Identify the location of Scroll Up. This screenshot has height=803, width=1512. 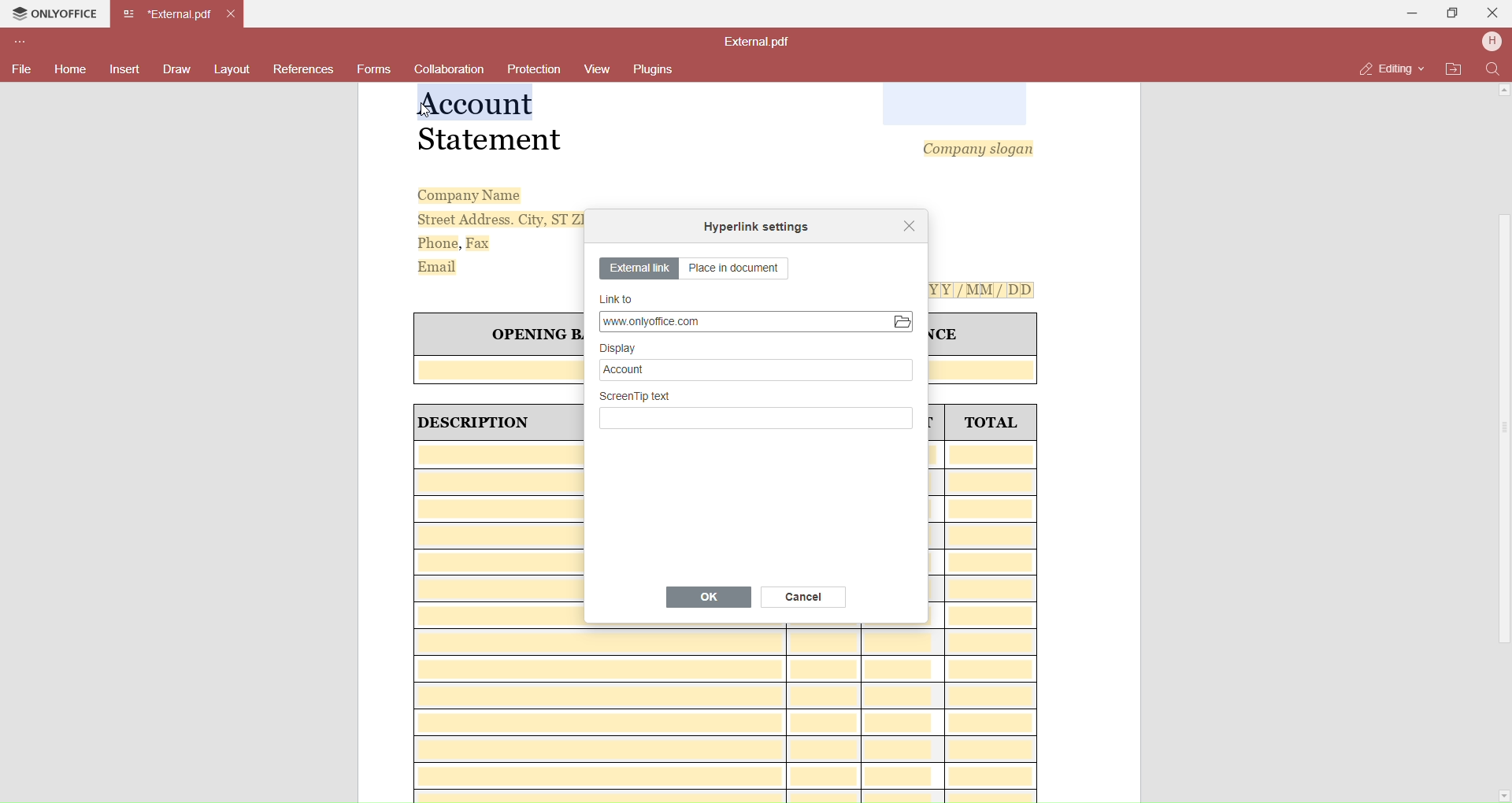
(1505, 91).